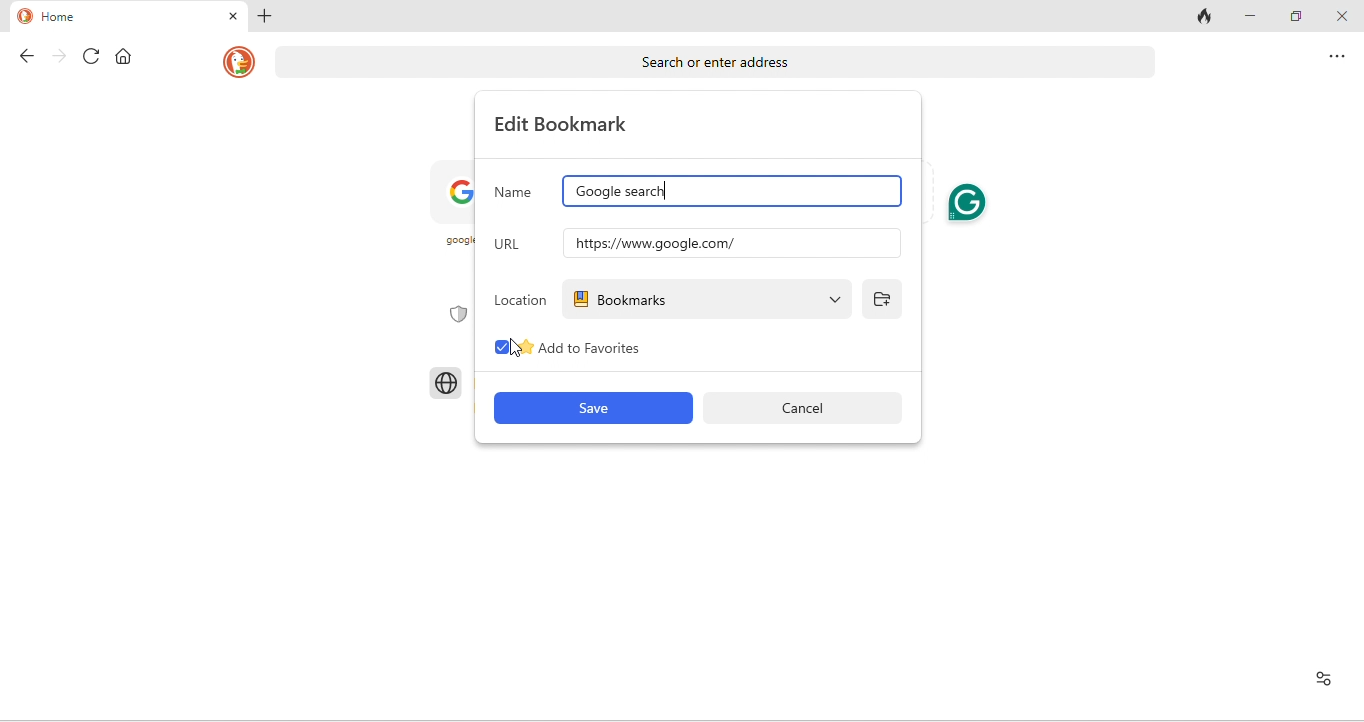 The width and height of the screenshot is (1364, 722). Describe the element at coordinates (85, 57) in the screenshot. I see `refresh` at that location.